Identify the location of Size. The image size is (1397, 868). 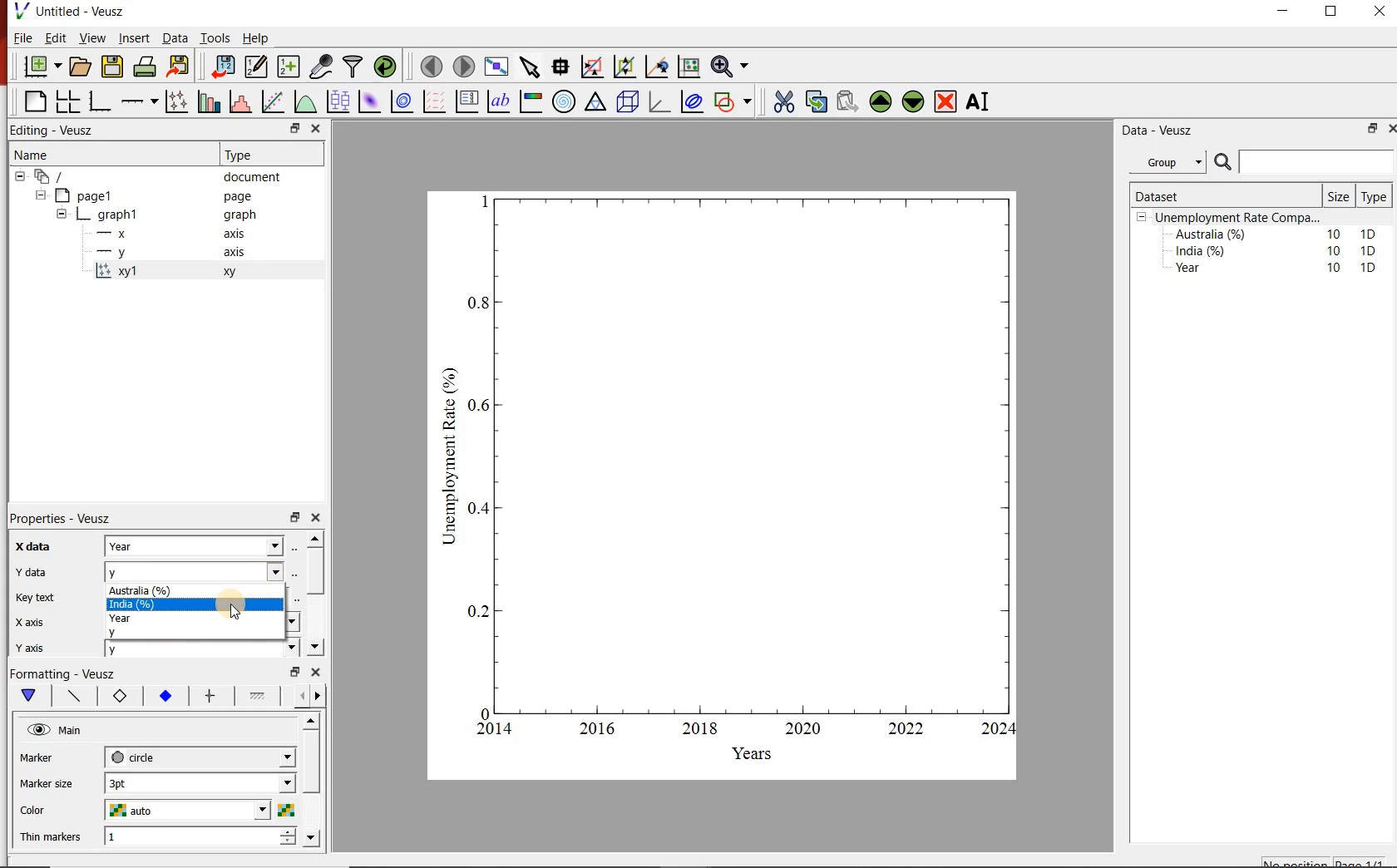
(1340, 196).